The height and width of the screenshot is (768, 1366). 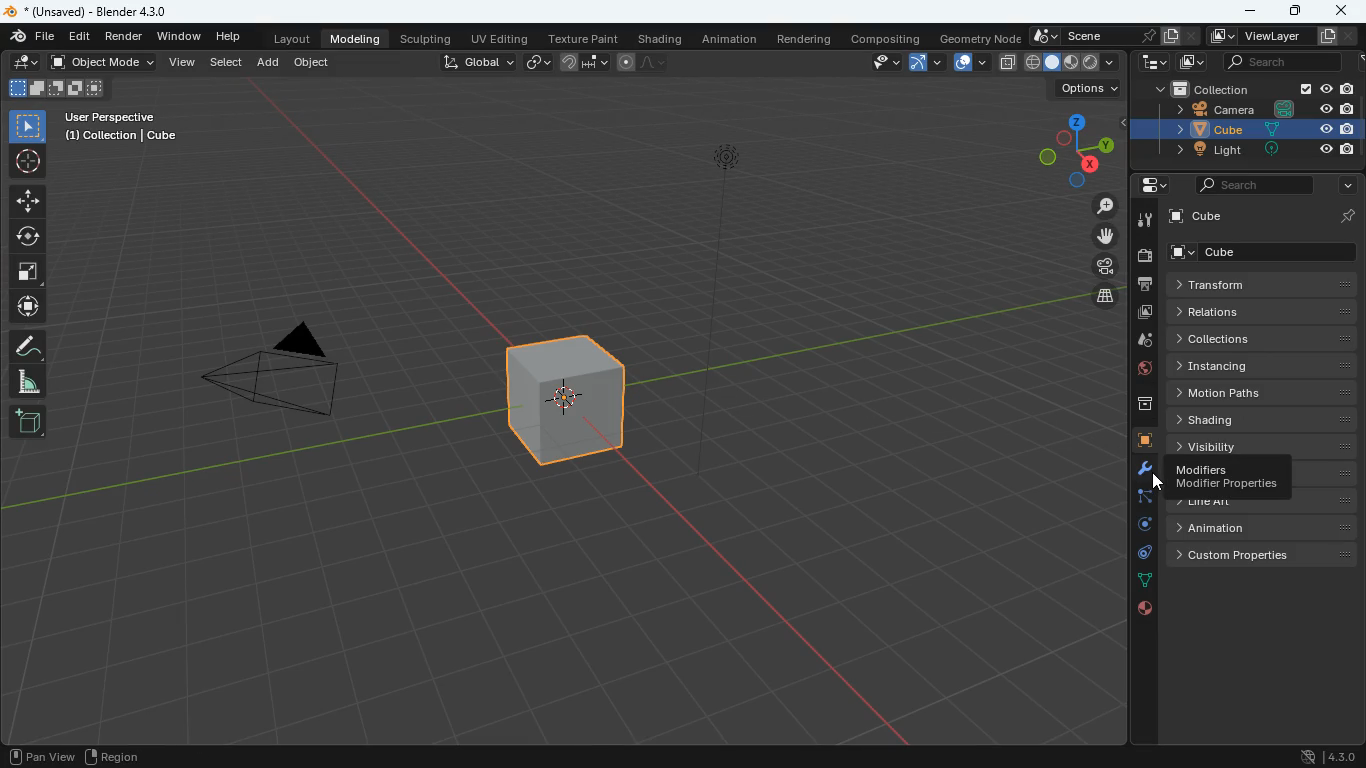 What do you see at coordinates (1144, 610) in the screenshot?
I see `public` at bounding box center [1144, 610].